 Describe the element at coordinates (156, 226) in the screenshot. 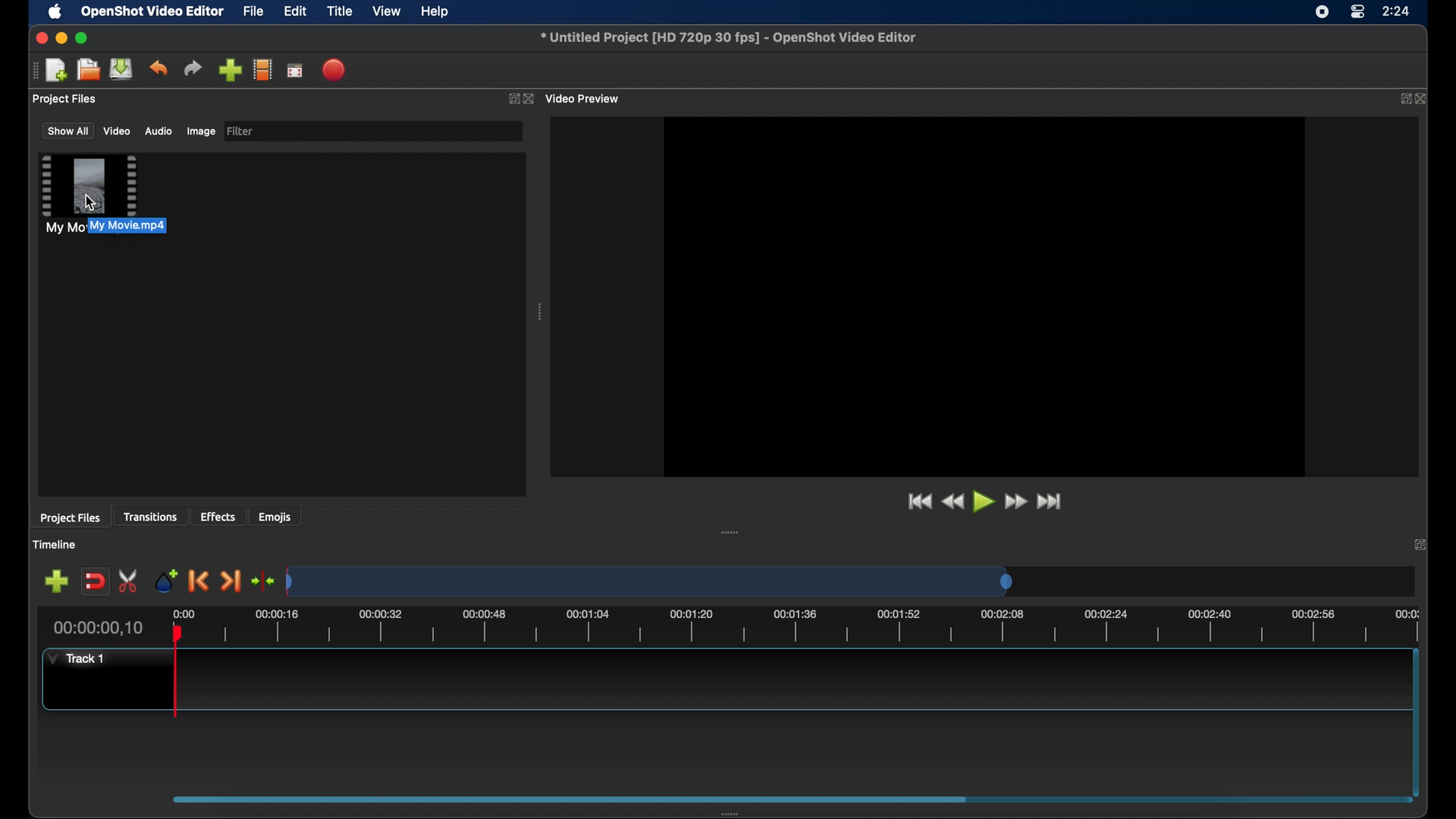

I see `tooltip` at that location.